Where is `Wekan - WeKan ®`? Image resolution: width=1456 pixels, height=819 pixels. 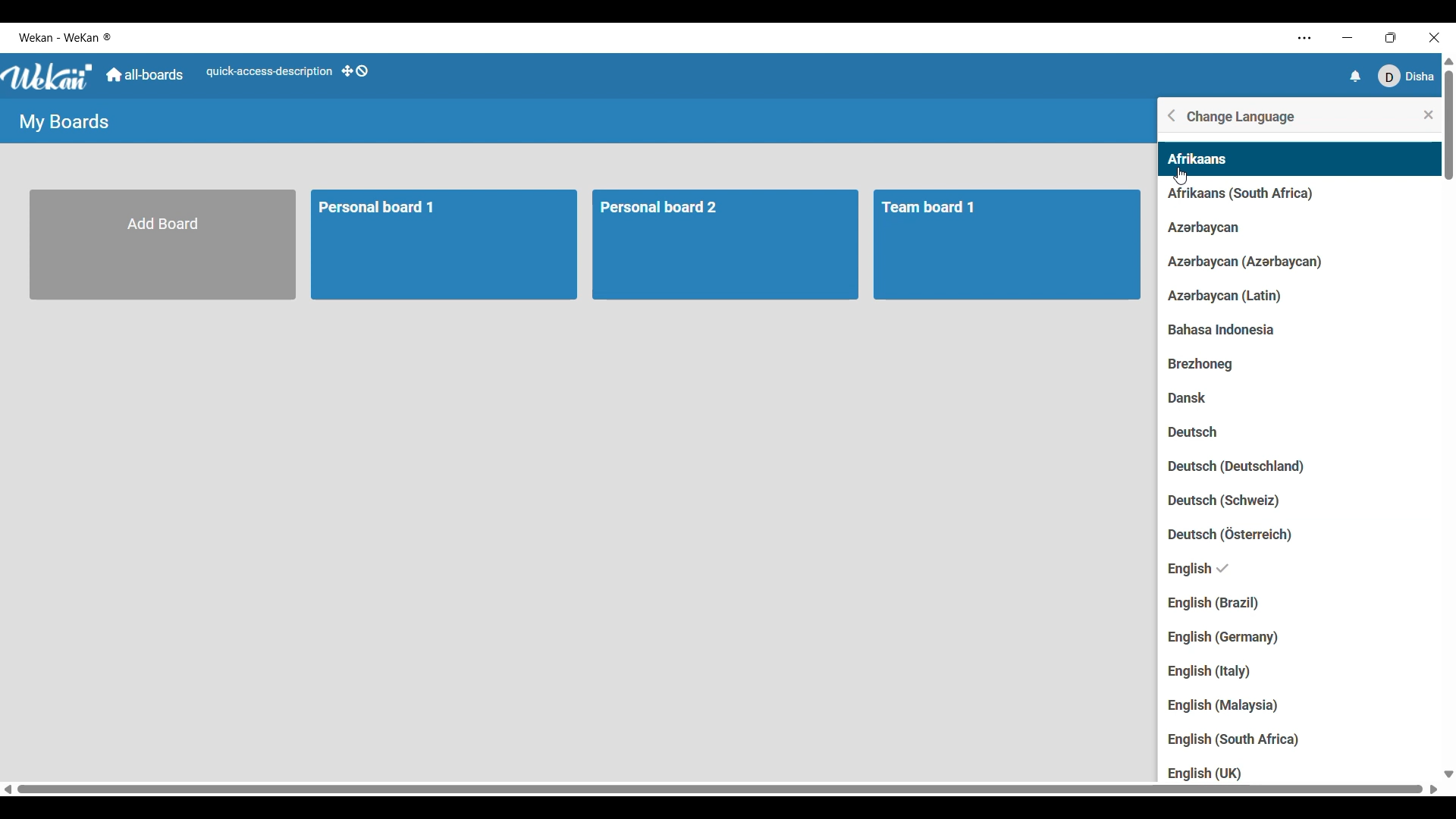 Wekan - WeKan ® is located at coordinates (67, 38).